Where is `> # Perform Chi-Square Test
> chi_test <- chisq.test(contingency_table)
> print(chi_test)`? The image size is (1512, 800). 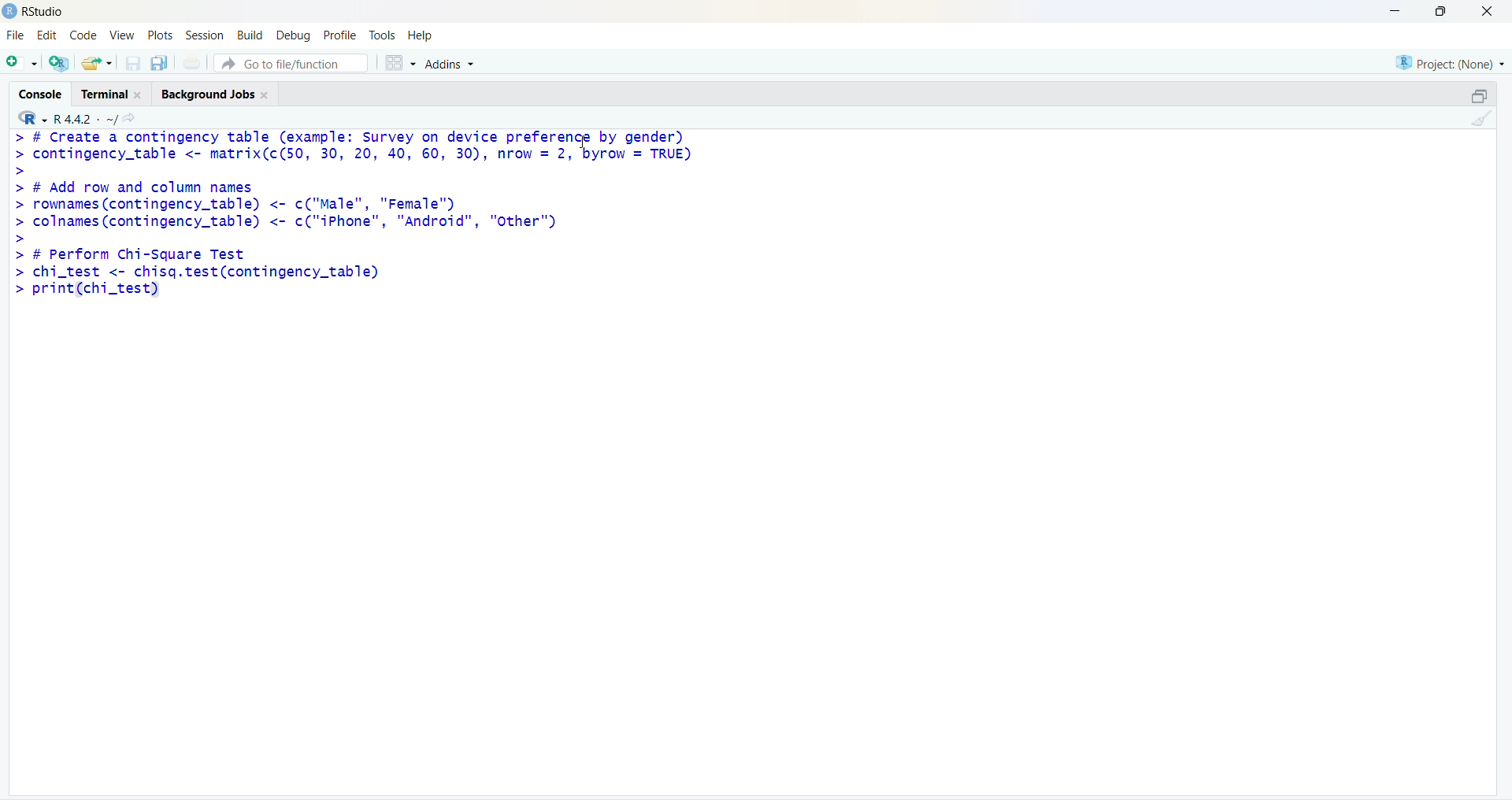 > # Perform Chi-Square Test
> chi_test <- chisq.test(contingency_table)
> print(chi_test) is located at coordinates (198, 273).